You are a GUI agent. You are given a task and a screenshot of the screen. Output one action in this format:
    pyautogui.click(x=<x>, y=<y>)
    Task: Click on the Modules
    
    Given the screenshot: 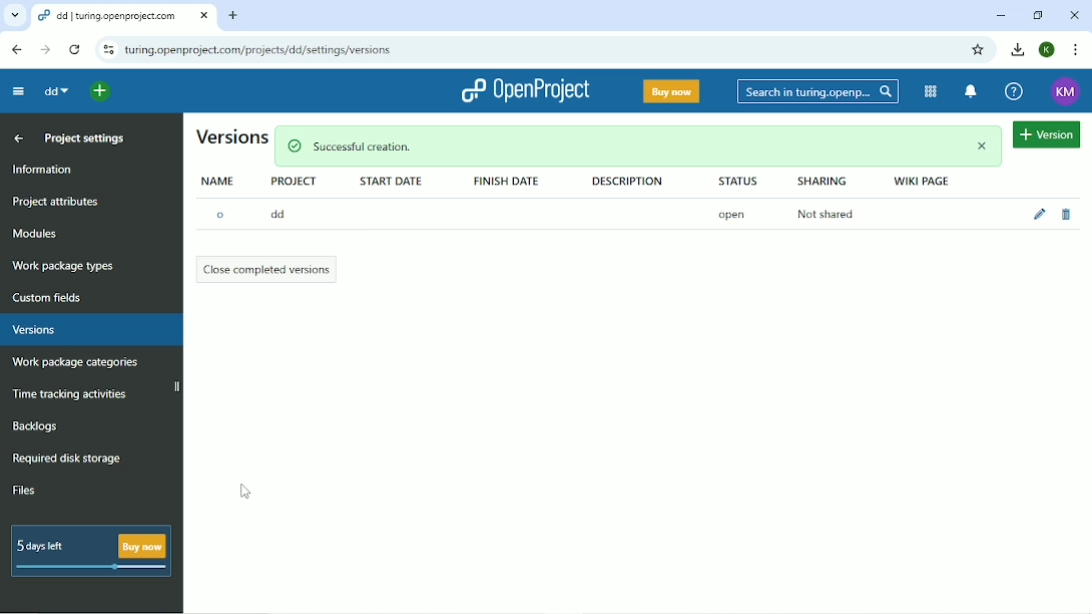 What is the action you would take?
    pyautogui.click(x=36, y=233)
    